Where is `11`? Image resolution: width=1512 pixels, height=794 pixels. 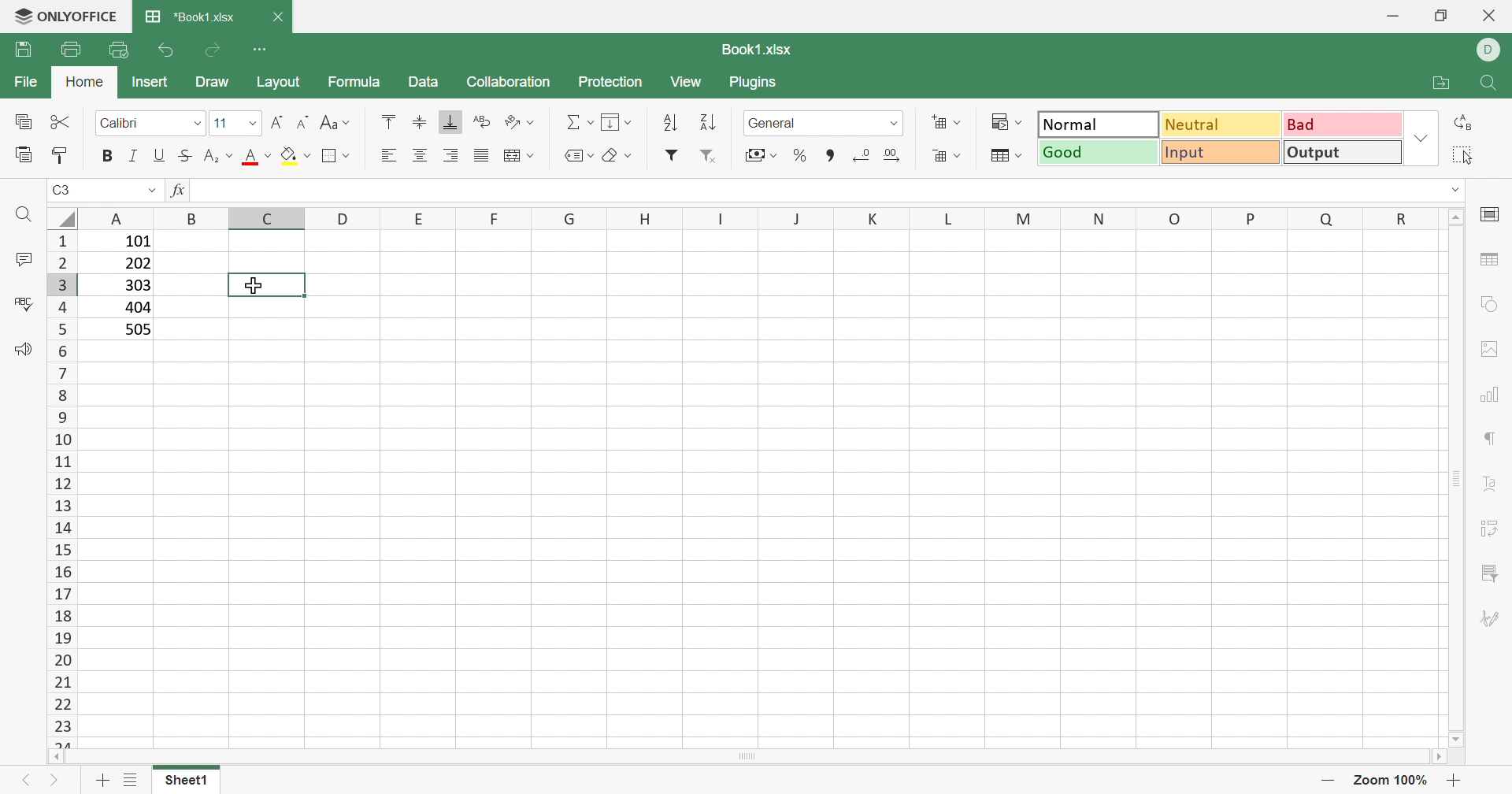 11 is located at coordinates (220, 123).